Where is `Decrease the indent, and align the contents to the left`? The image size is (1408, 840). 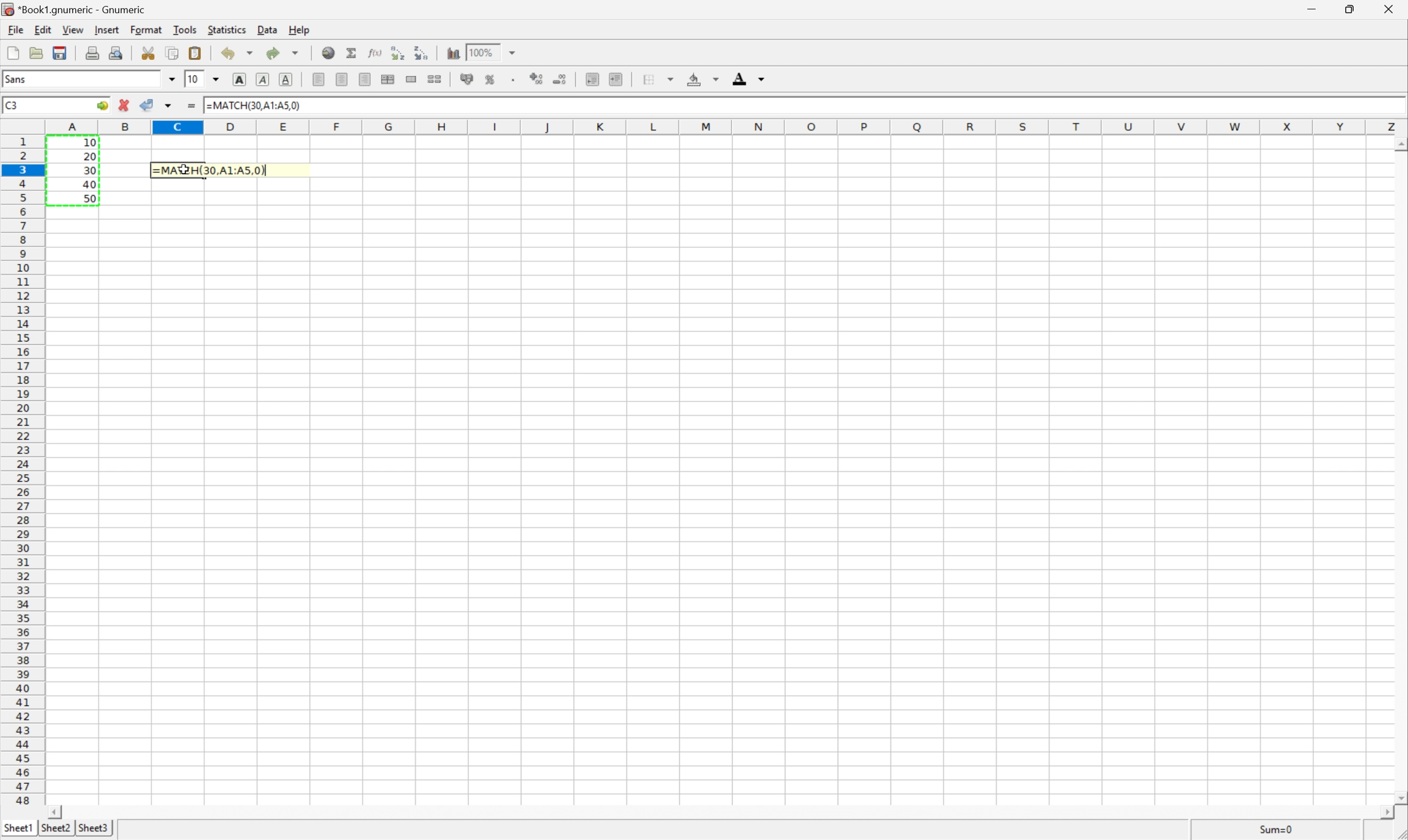 Decrease the indent, and align the contents to the left is located at coordinates (590, 76).